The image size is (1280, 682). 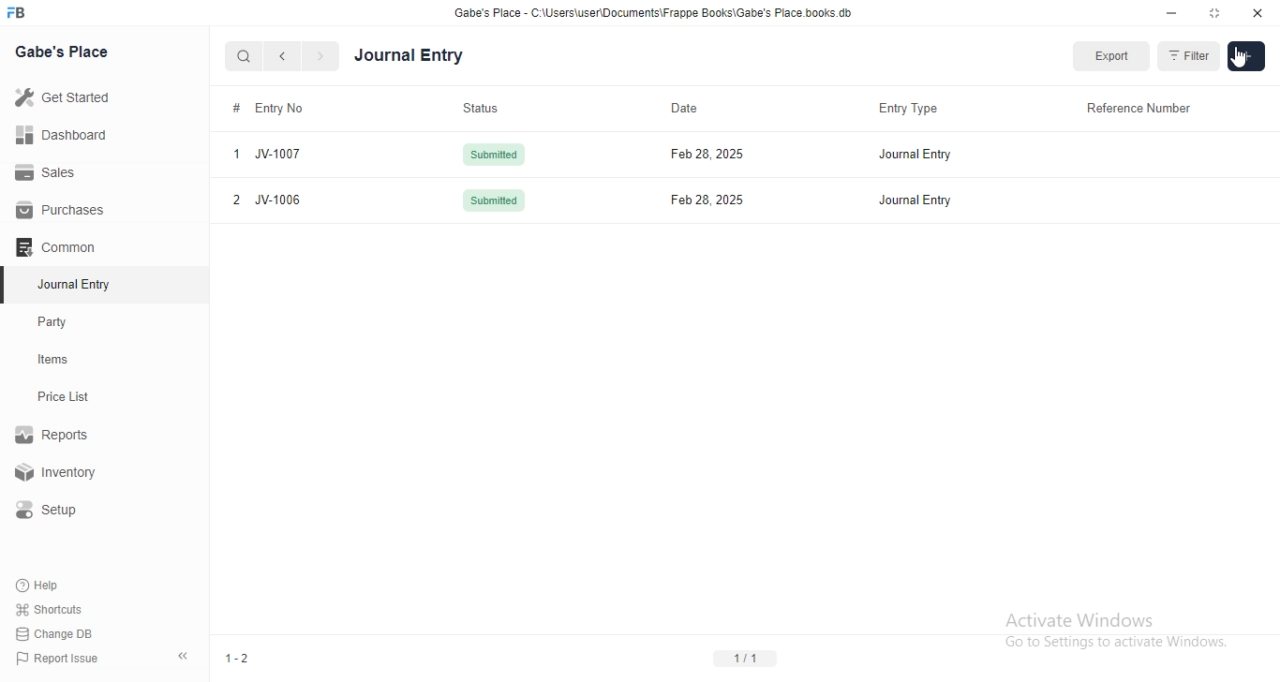 What do you see at coordinates (18, 13) in the screenshot?
I see `FB logo` at bounding box center [18, 13].